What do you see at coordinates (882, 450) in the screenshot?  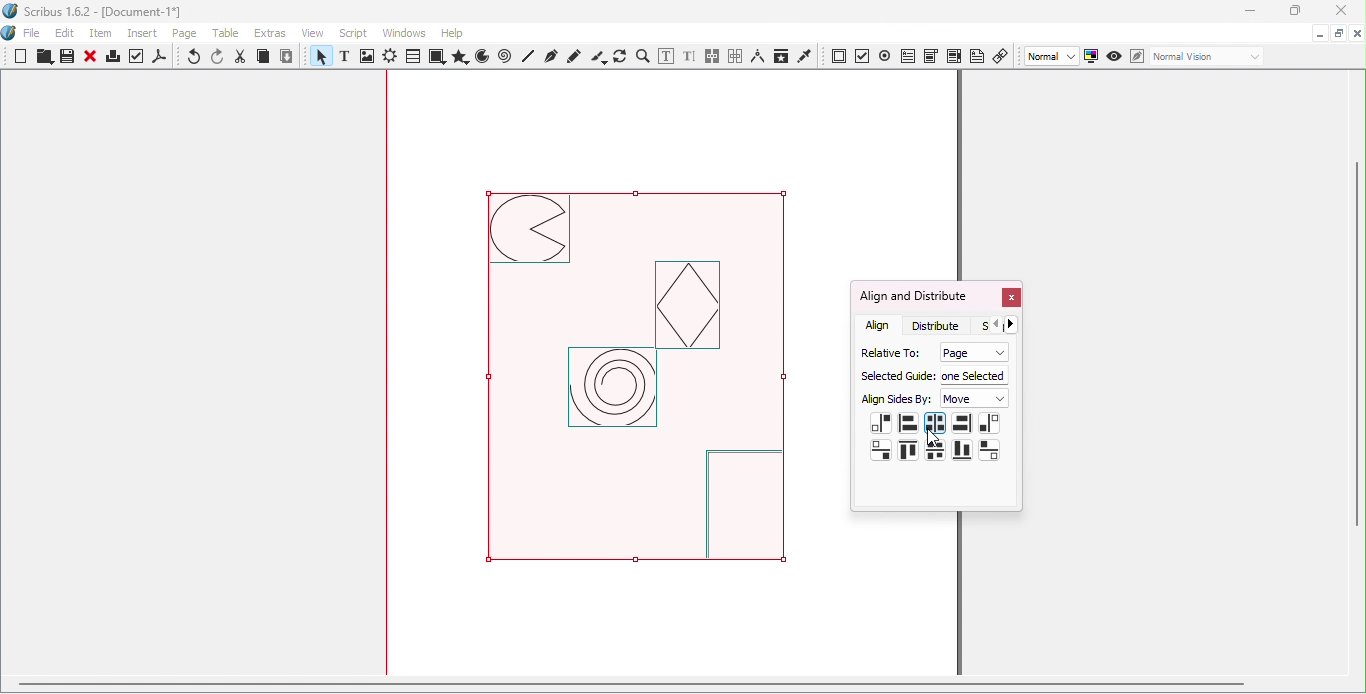 I see `Align bottoms of items to top of anchor` at bounding box center [882, 450].